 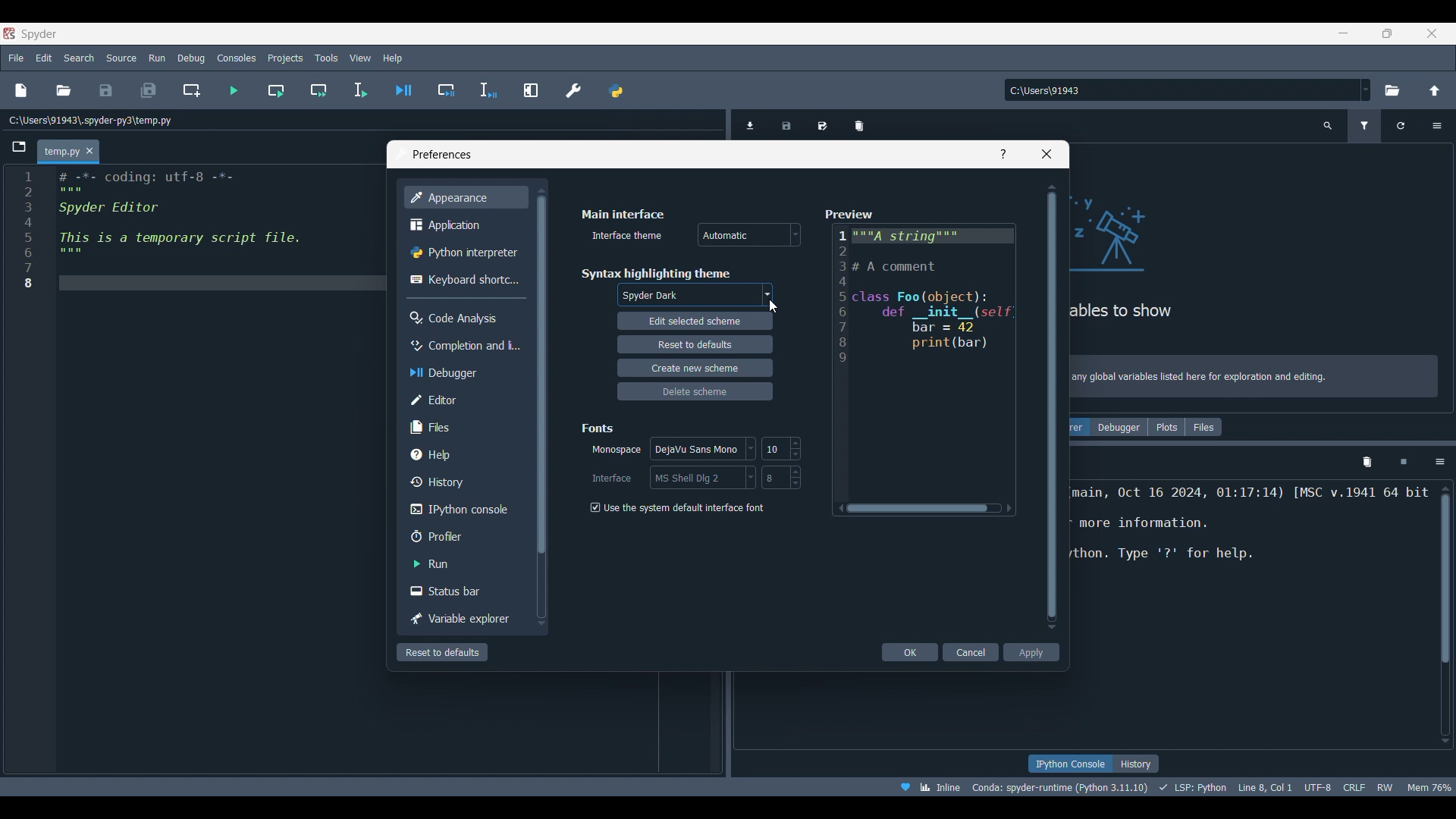 I want to click on cursor, so click(x=774, y=306).